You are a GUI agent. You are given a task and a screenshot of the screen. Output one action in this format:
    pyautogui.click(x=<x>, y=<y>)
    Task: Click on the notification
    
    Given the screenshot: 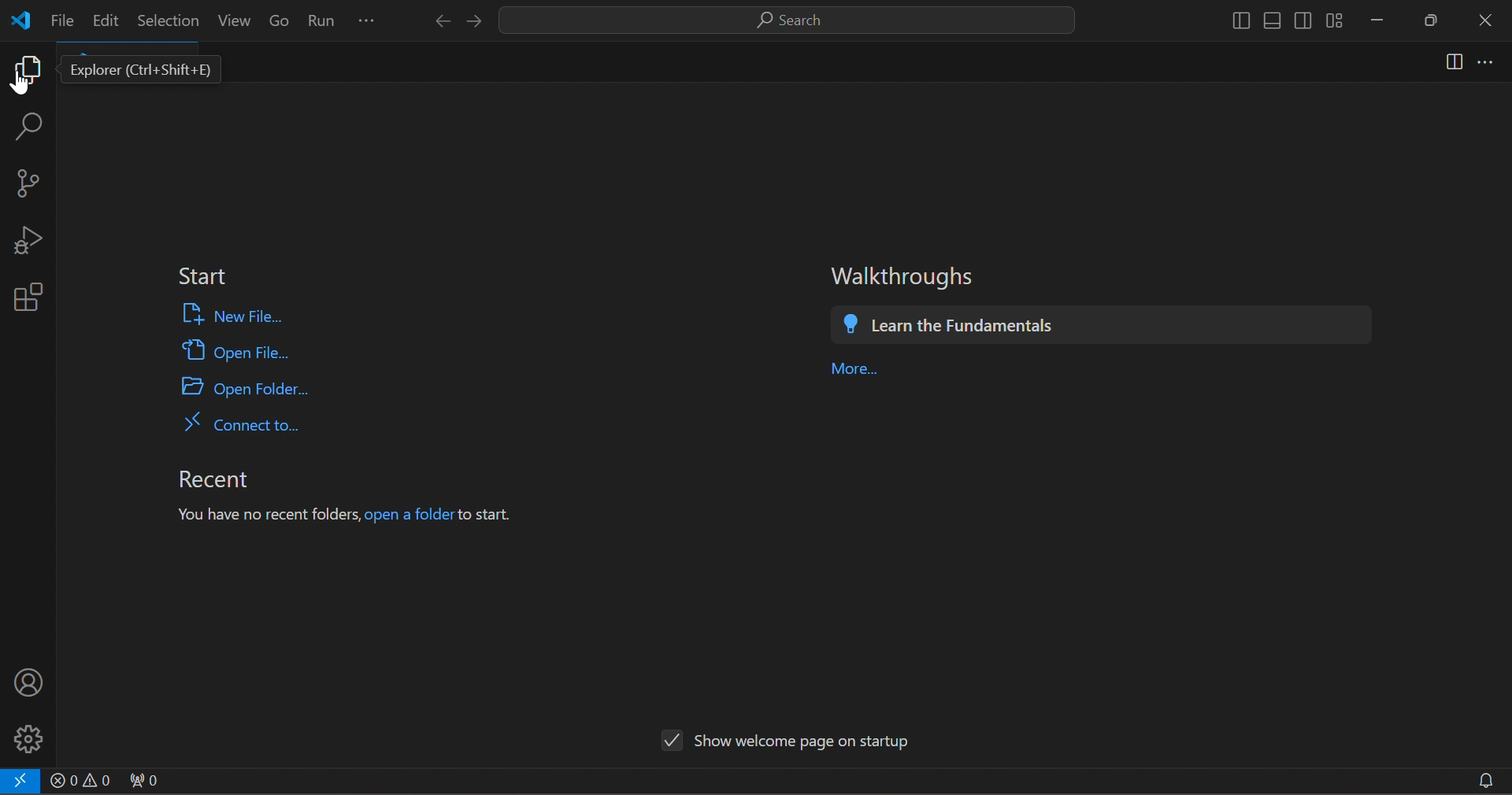 What is the action you would take?
    pyautogui.click(x=1490, y=780)
    